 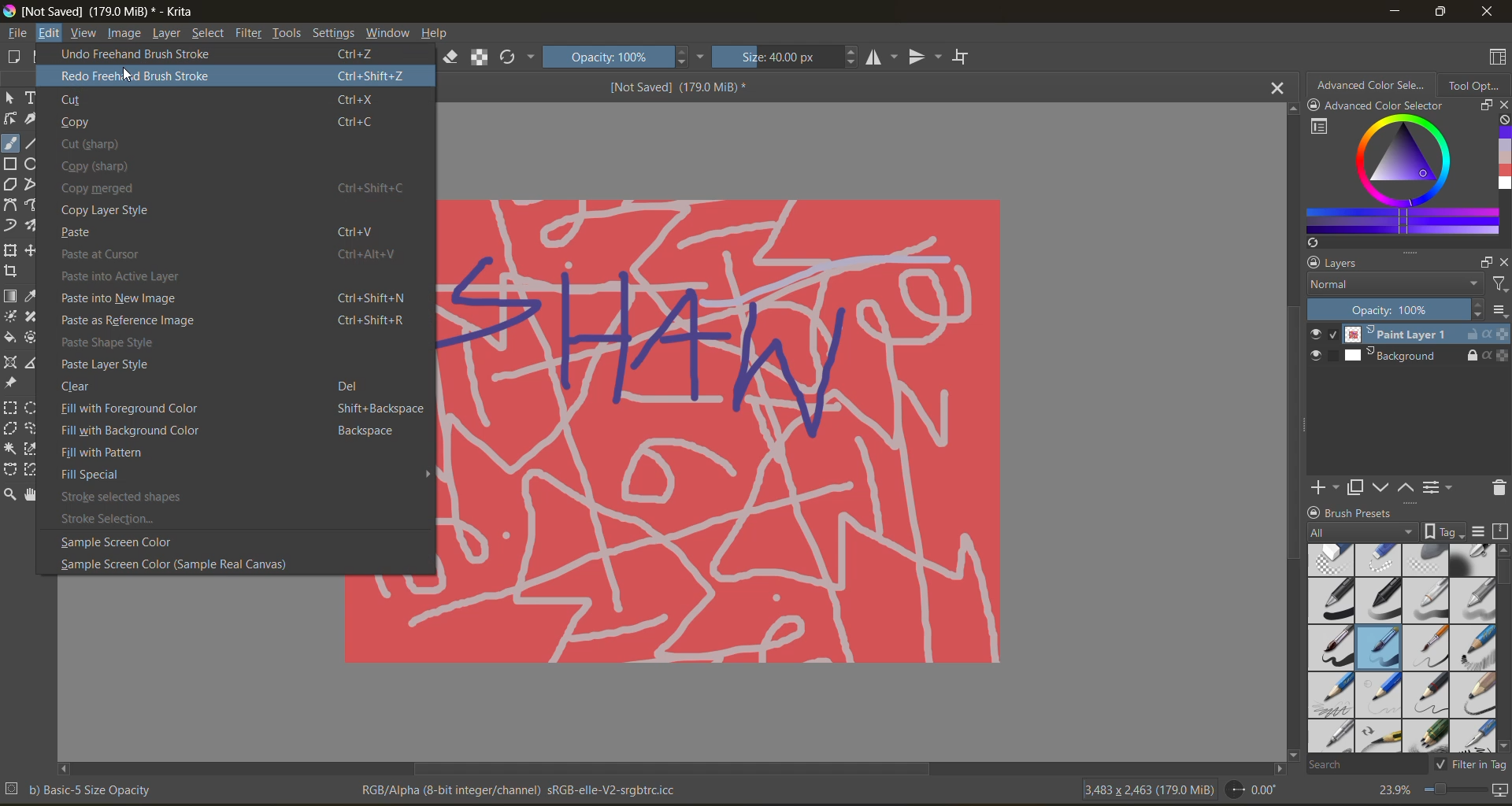 I want to click on zoom tool, so click(x=12, y=494).